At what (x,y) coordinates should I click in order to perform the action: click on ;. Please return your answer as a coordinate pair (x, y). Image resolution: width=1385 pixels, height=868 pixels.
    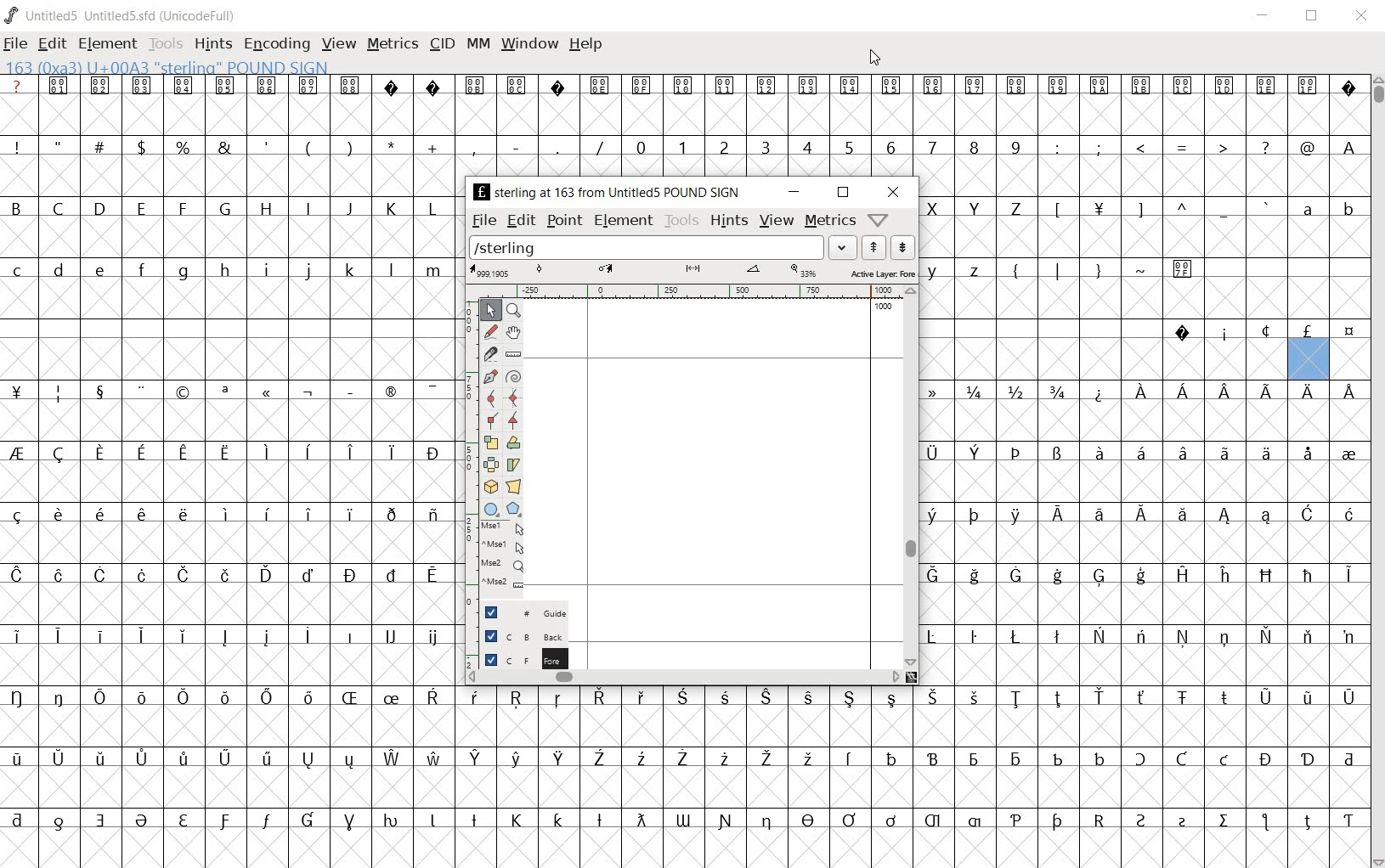
    Looking at the image, I should click on (1099, 149).